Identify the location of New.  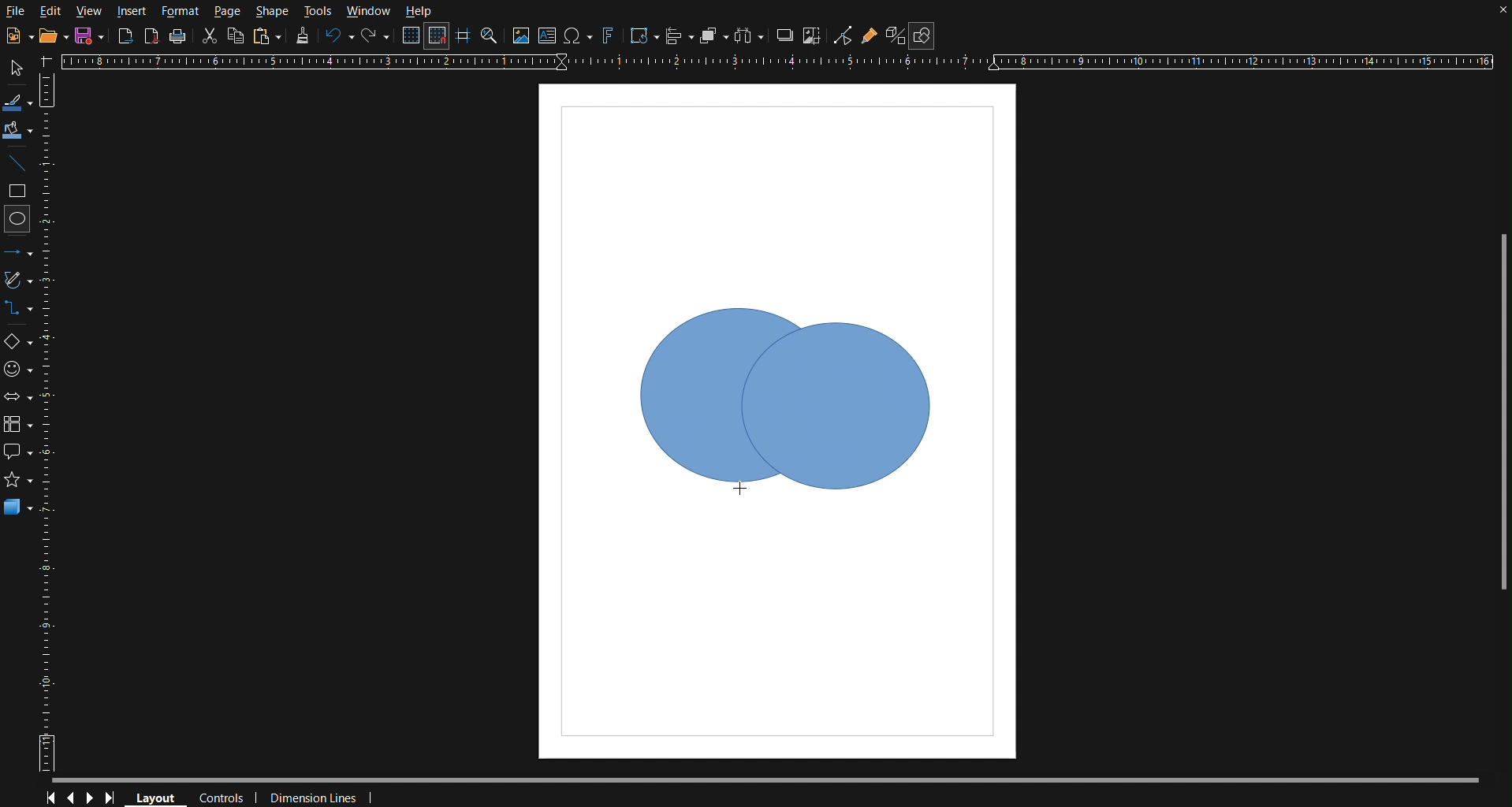
(87, 37).